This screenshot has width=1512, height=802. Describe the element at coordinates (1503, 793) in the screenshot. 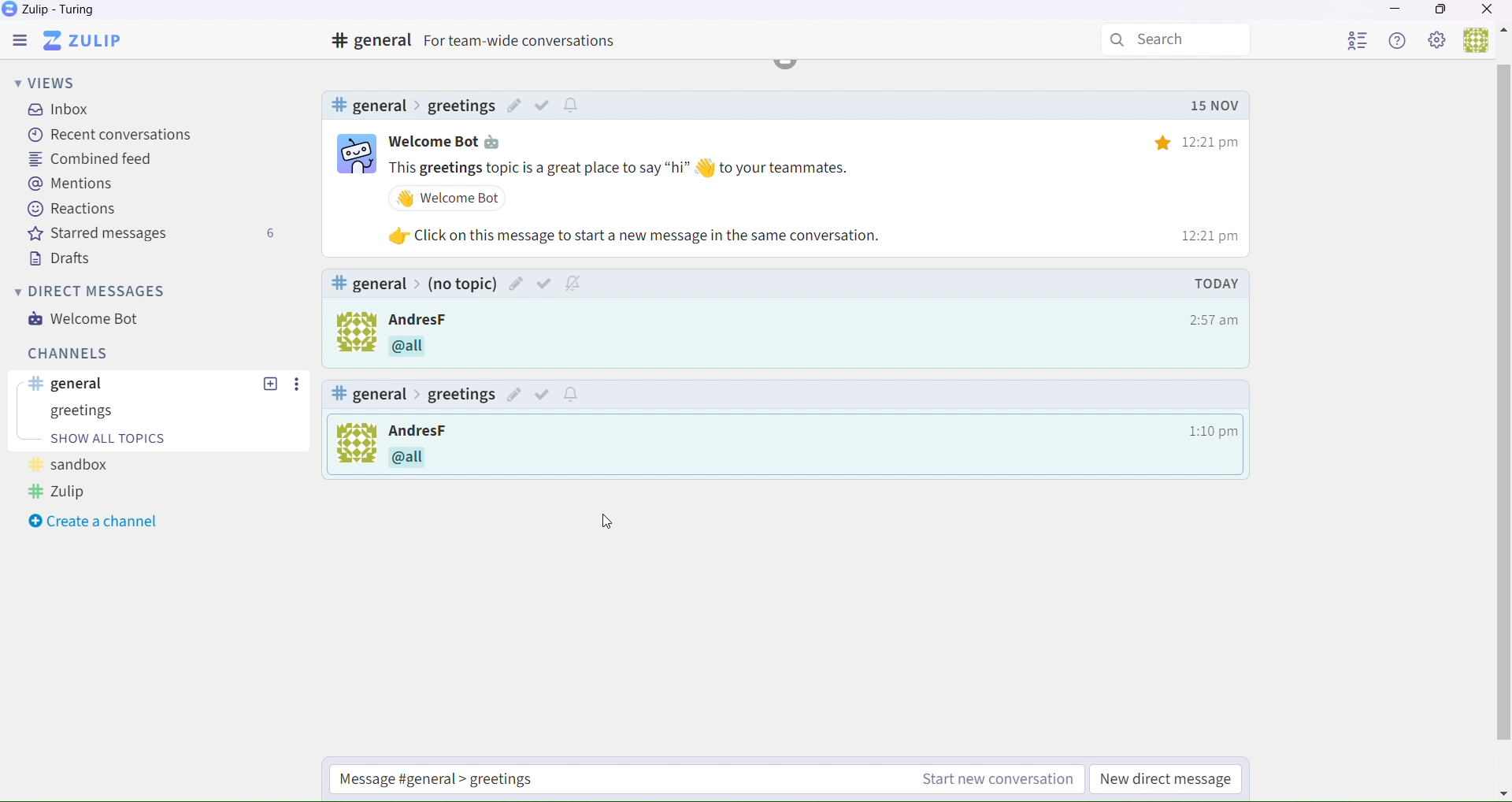

I see `` at that location.